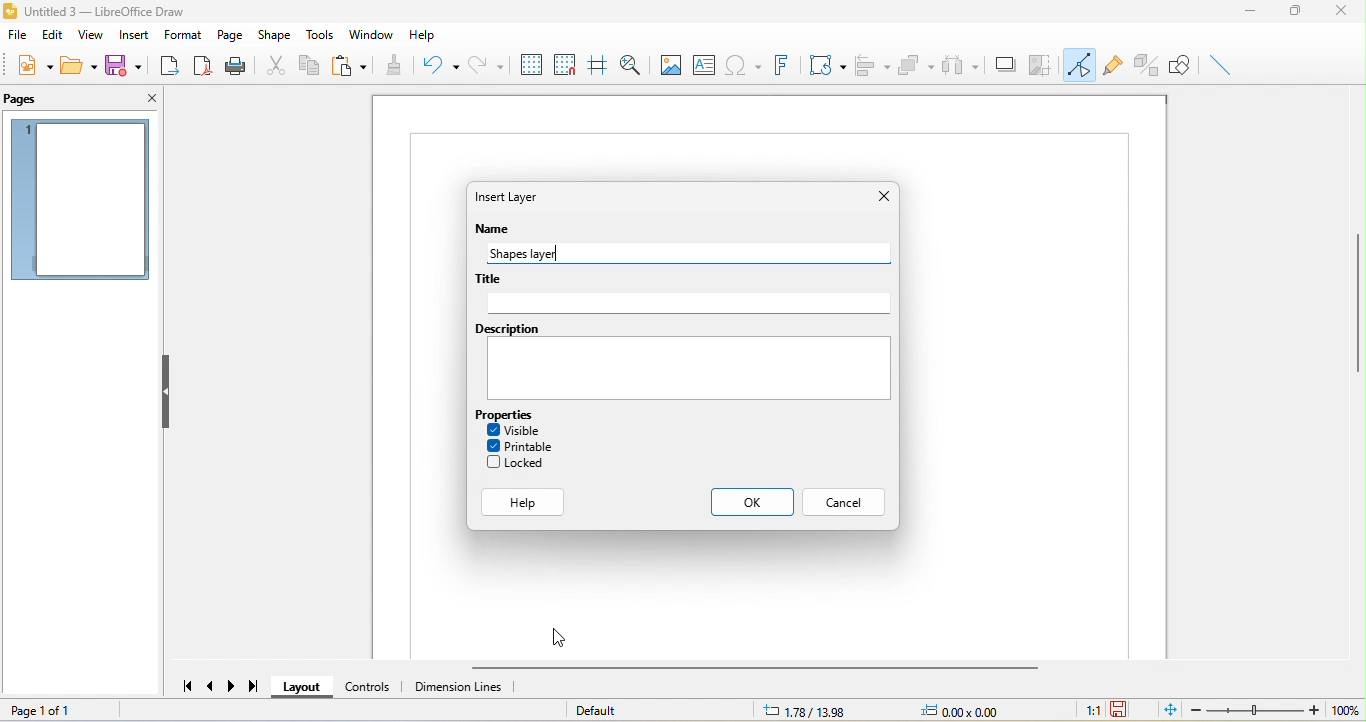  What do you see at coordinates (781, 63) in the screenshot?
I see `font work text` at bounding box center [781, 63].